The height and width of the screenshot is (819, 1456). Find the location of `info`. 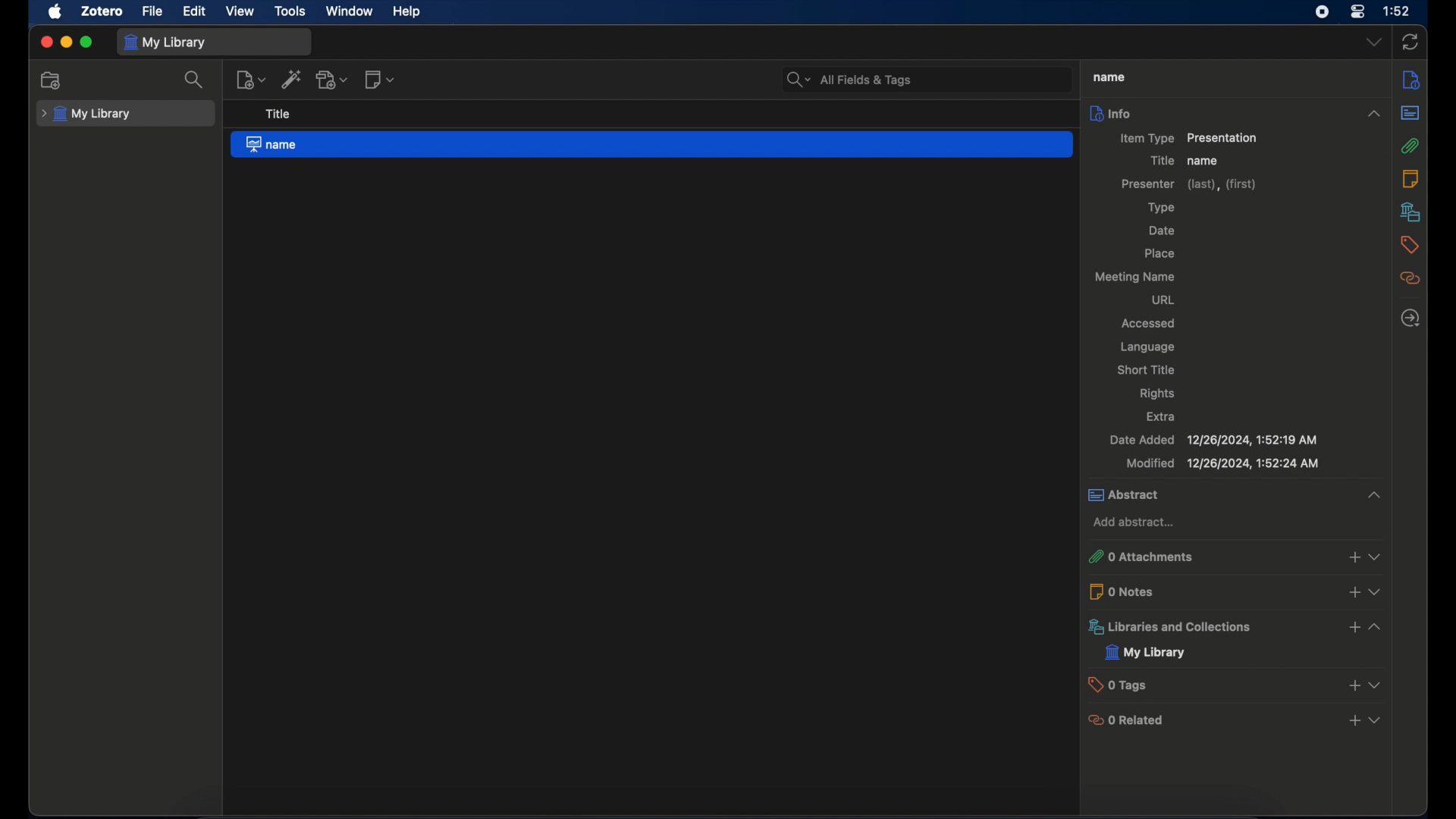

info is located at coordinates (1235, 113).